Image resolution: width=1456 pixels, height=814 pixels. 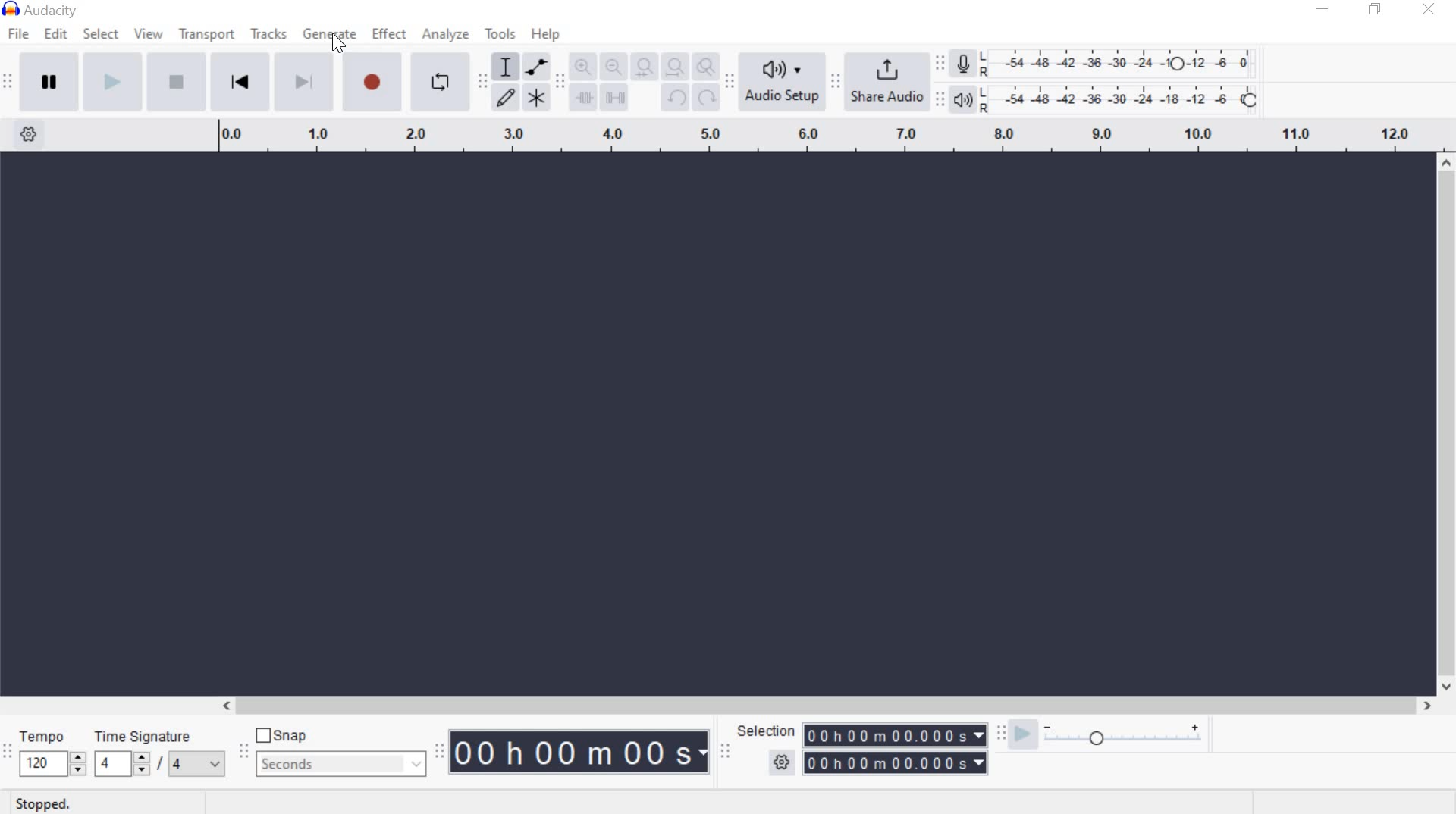 What do you see at coordinates (390, 35) in the screenshot?
I see `effect` at bounding box center [390, 35].